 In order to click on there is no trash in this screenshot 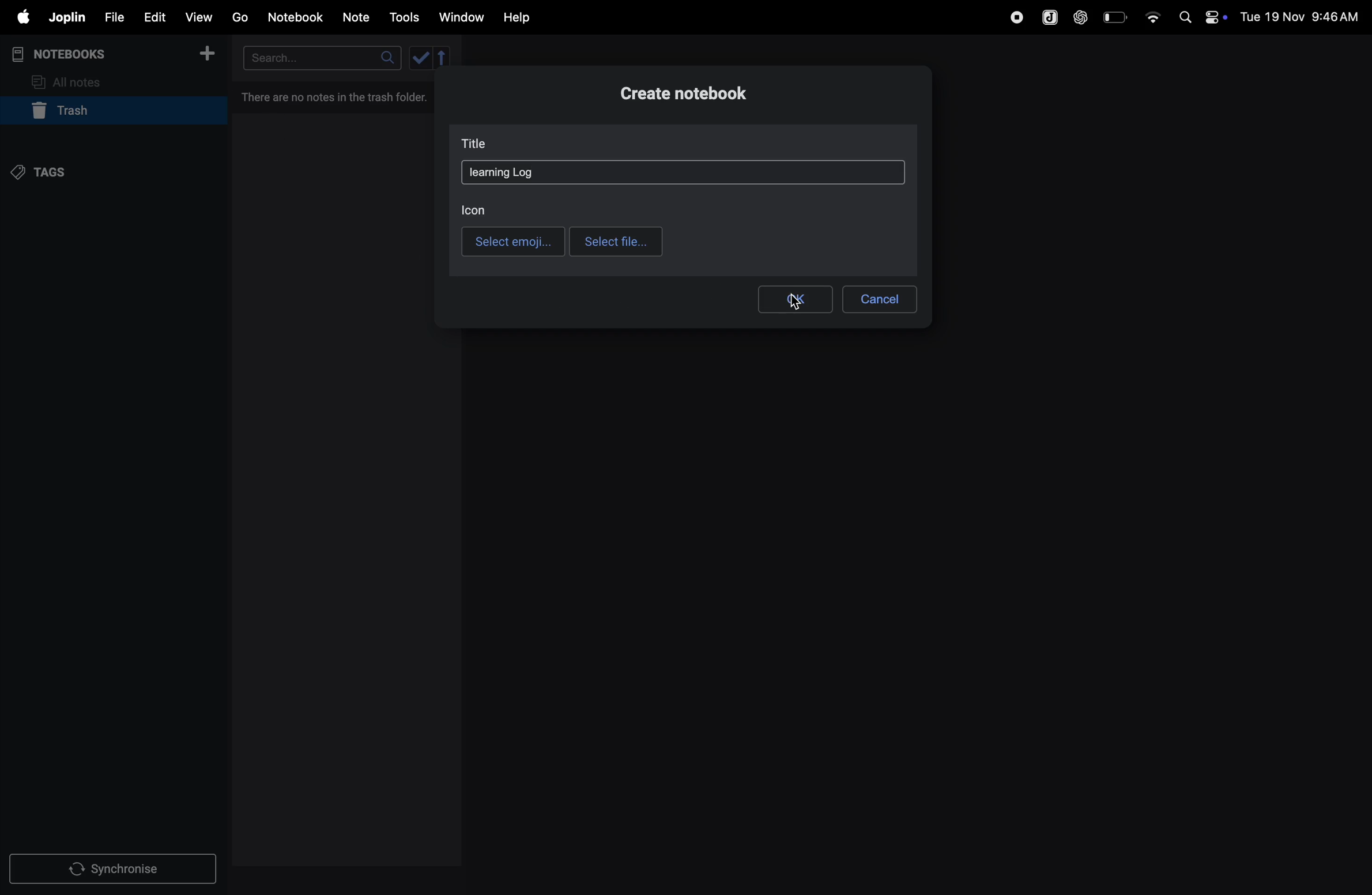, I will do `click(336, 95)`.